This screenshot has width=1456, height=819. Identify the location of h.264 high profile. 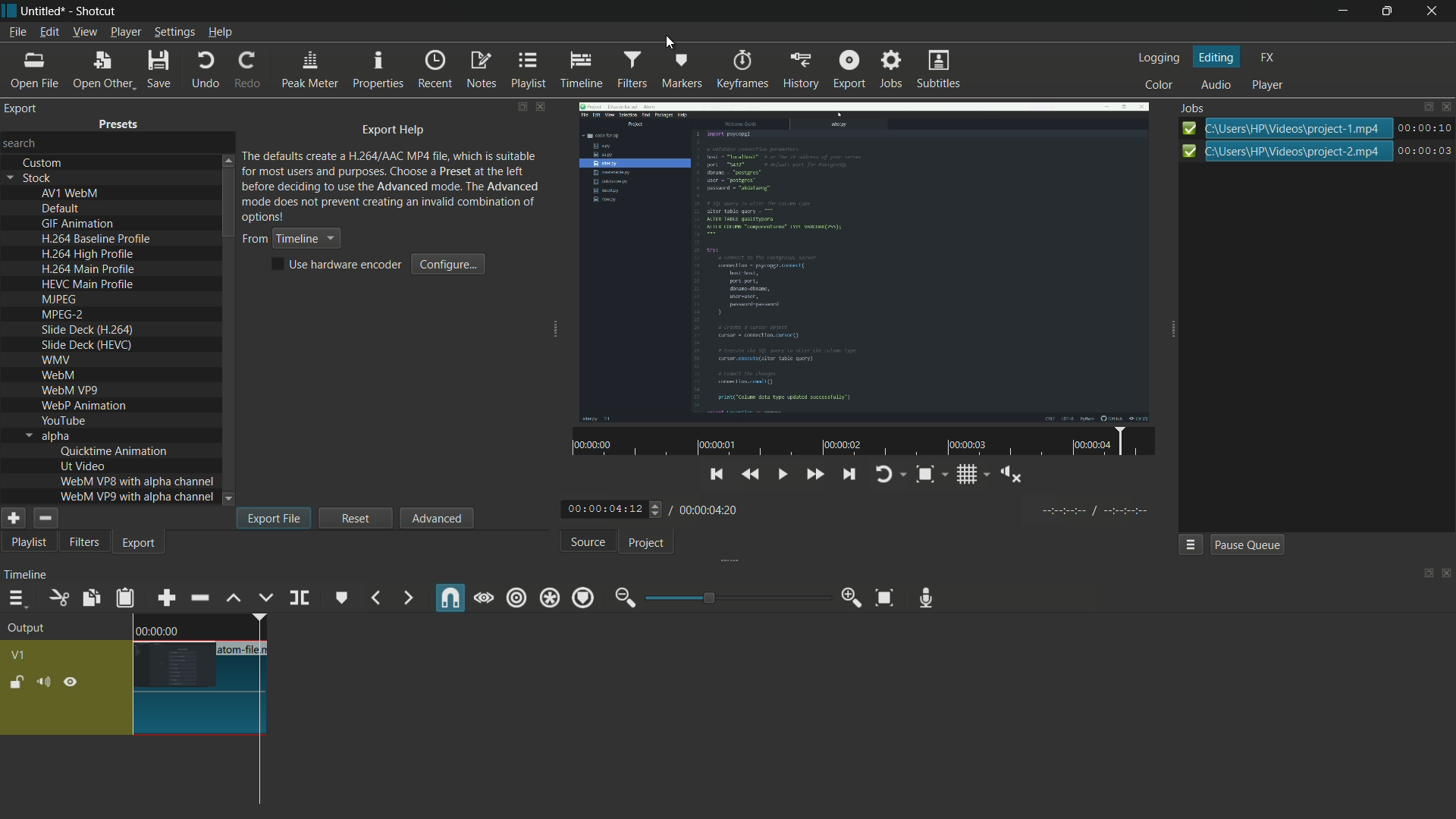
(88, 255).